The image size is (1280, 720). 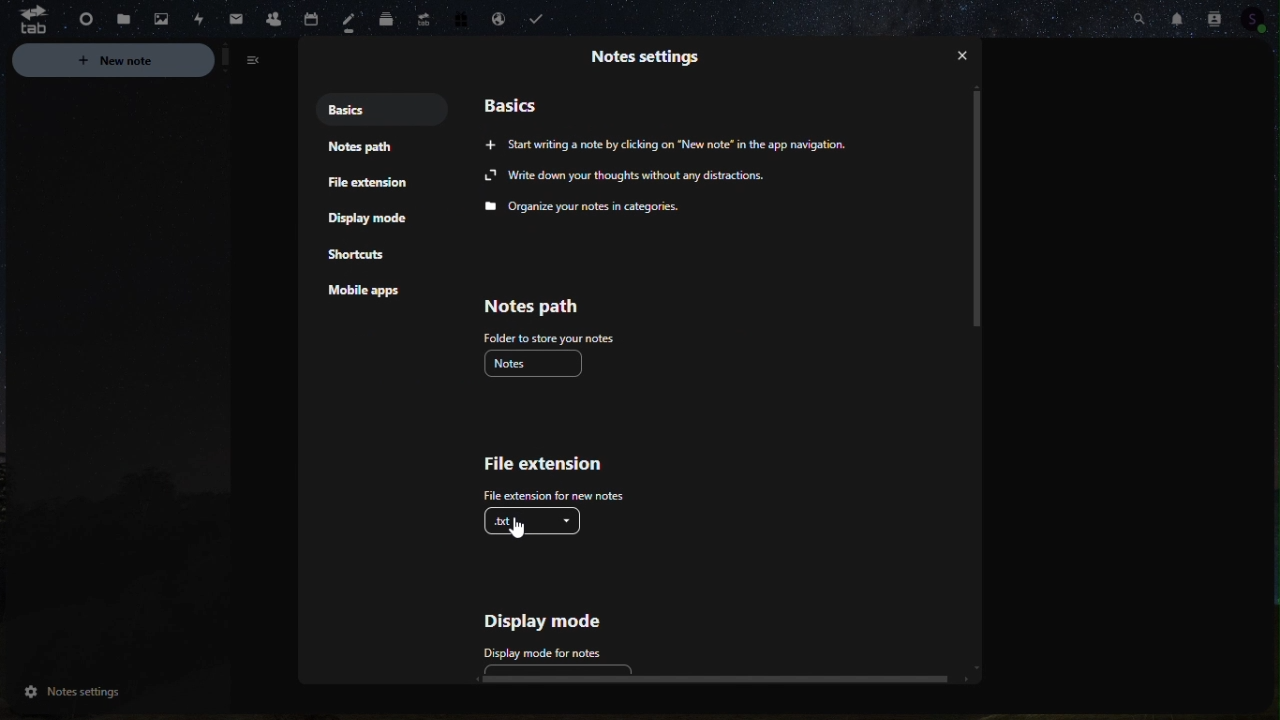 What do you see at coordinates (551, 494) in the screenshot?
I see `file extension for new notes` at bounding box center [551, 494].